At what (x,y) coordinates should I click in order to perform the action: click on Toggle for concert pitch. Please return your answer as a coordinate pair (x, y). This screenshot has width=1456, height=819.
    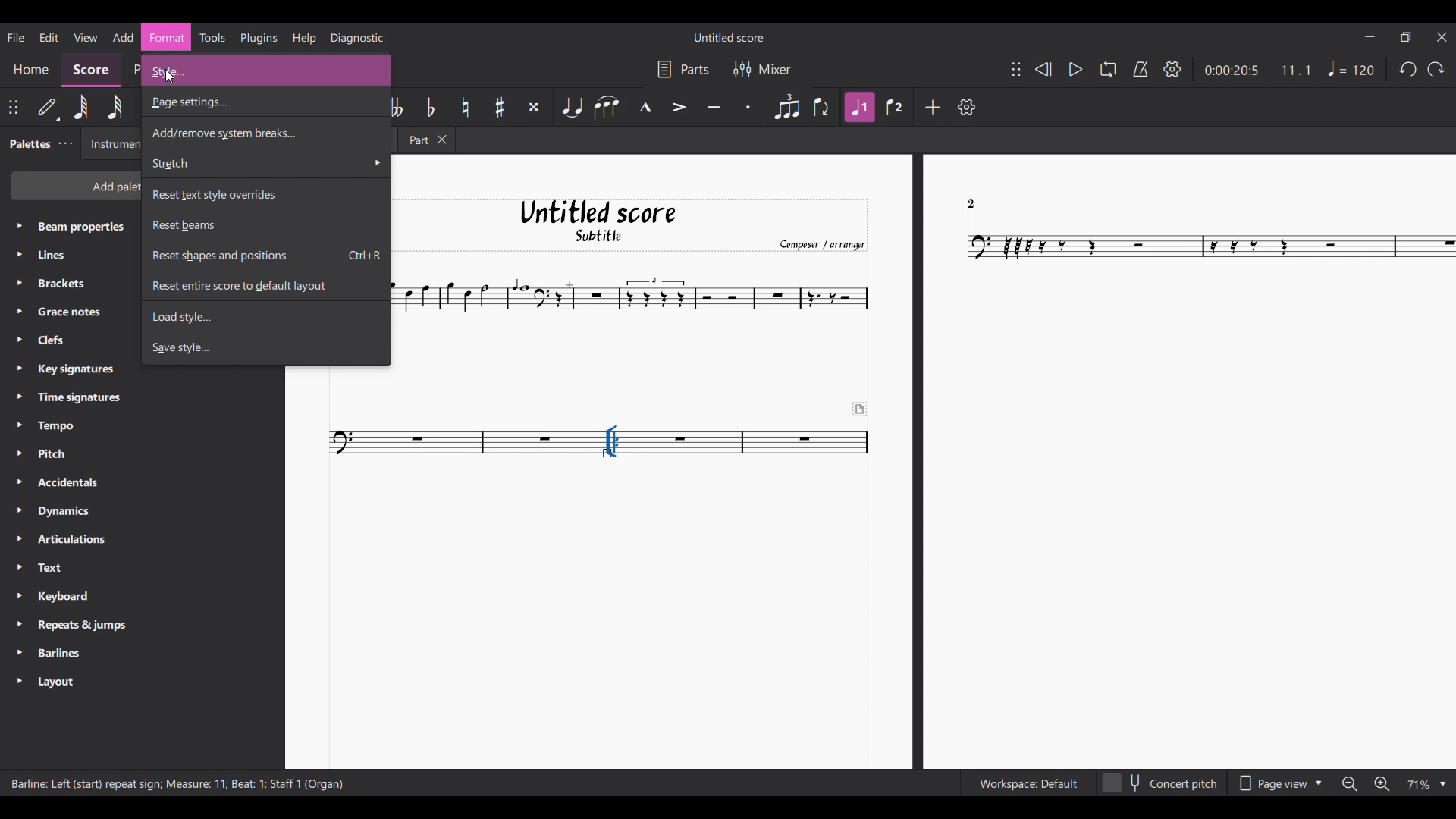
    Looking at the image, I should click on (1159, 783).